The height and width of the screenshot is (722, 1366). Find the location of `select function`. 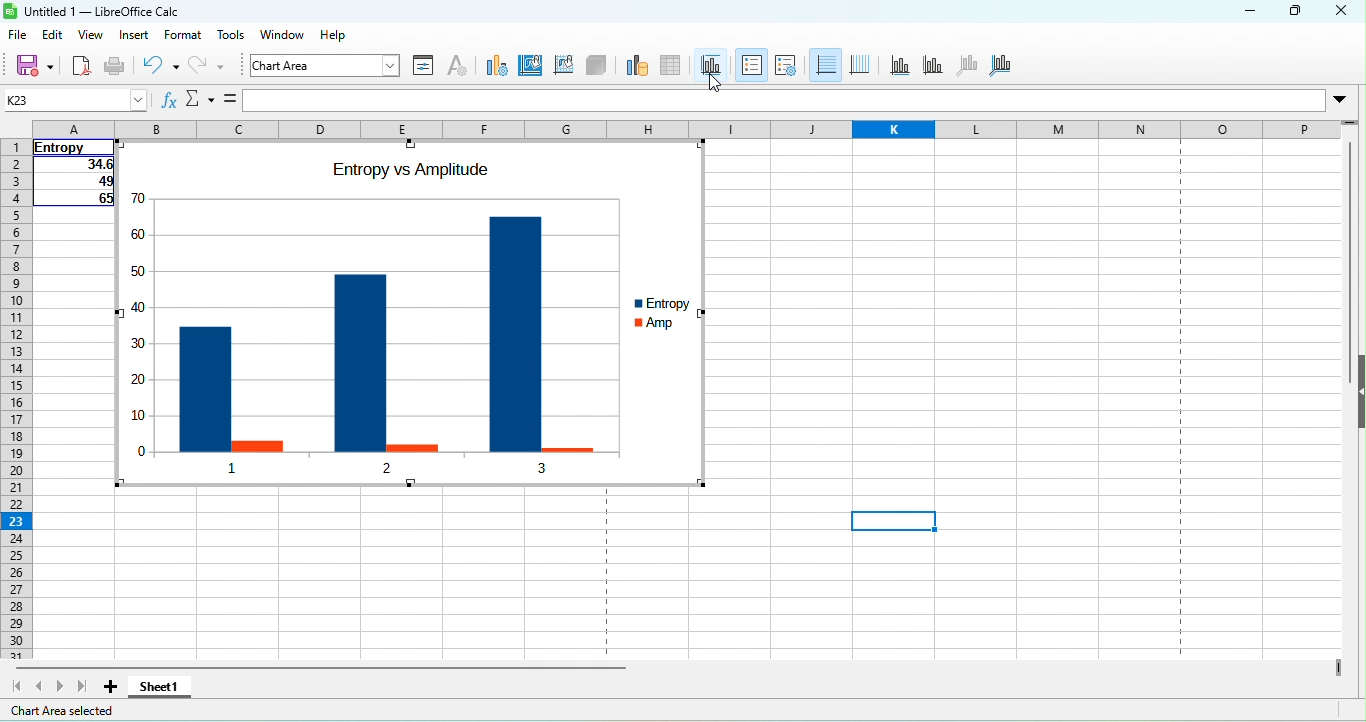

select function is located at coordinates (197, 101).